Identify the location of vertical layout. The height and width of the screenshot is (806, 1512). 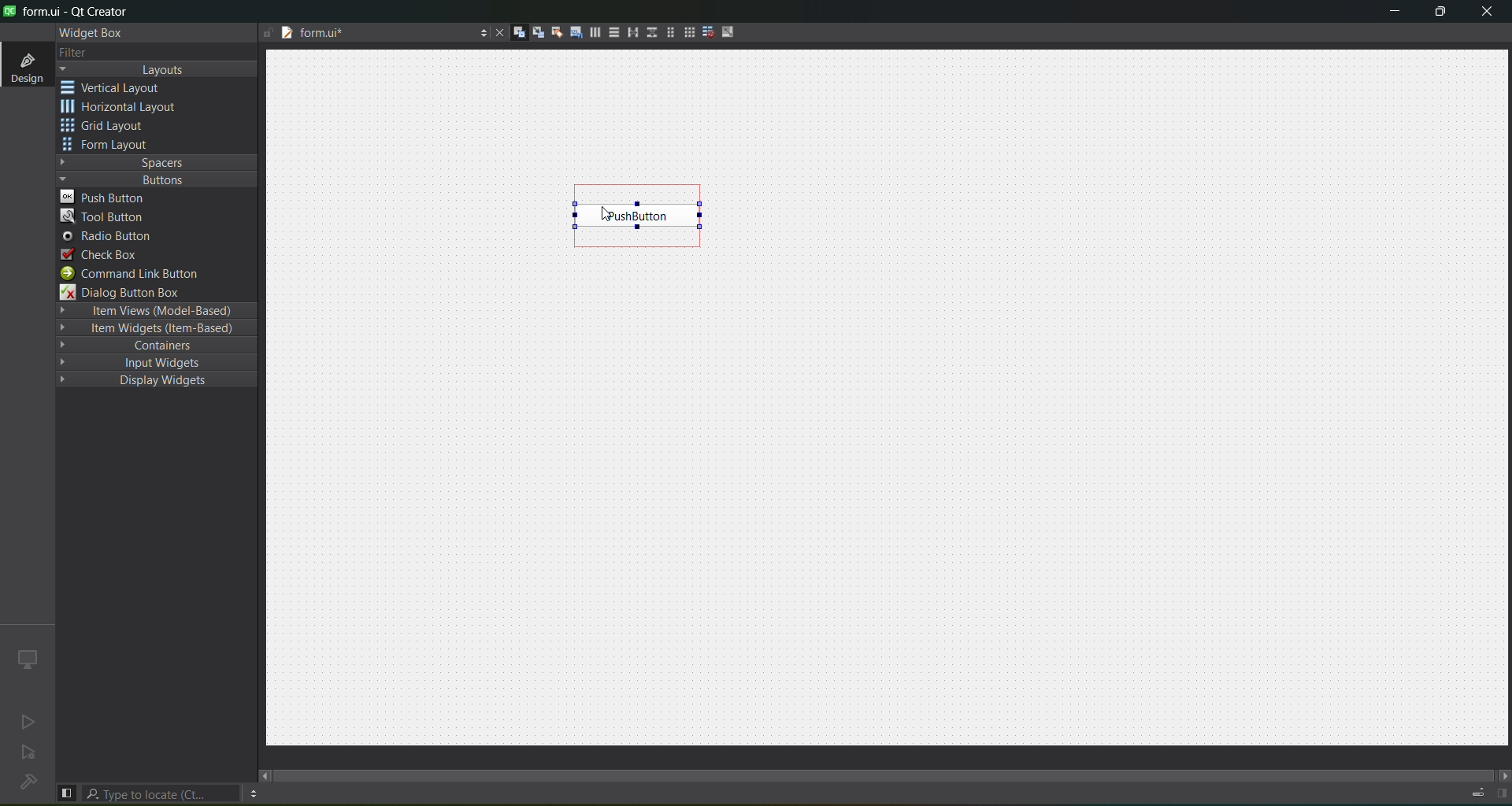
(123, 87).